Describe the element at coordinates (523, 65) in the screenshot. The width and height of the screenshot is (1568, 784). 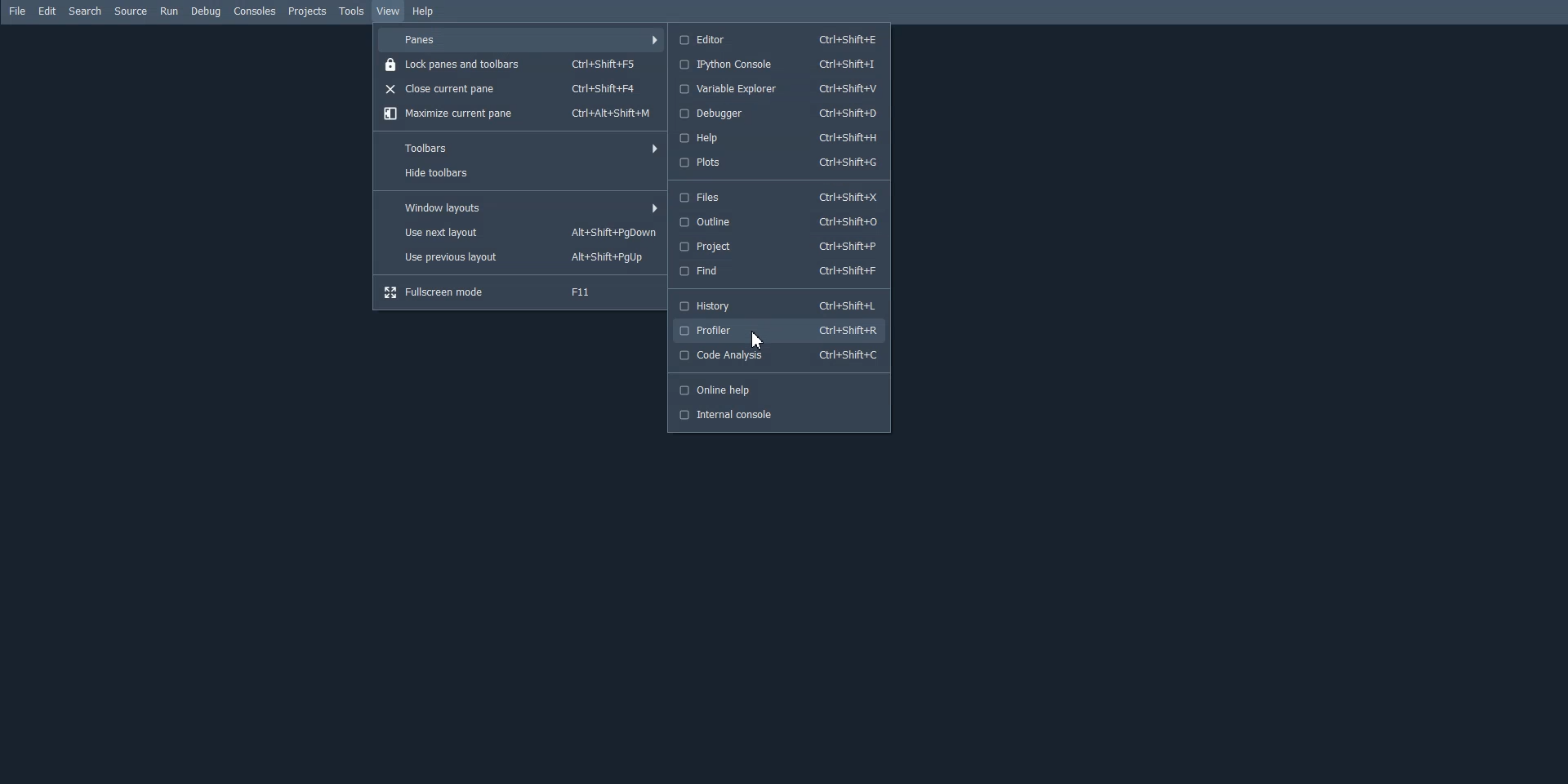
I see `Lock panes and toolbars` at that location.